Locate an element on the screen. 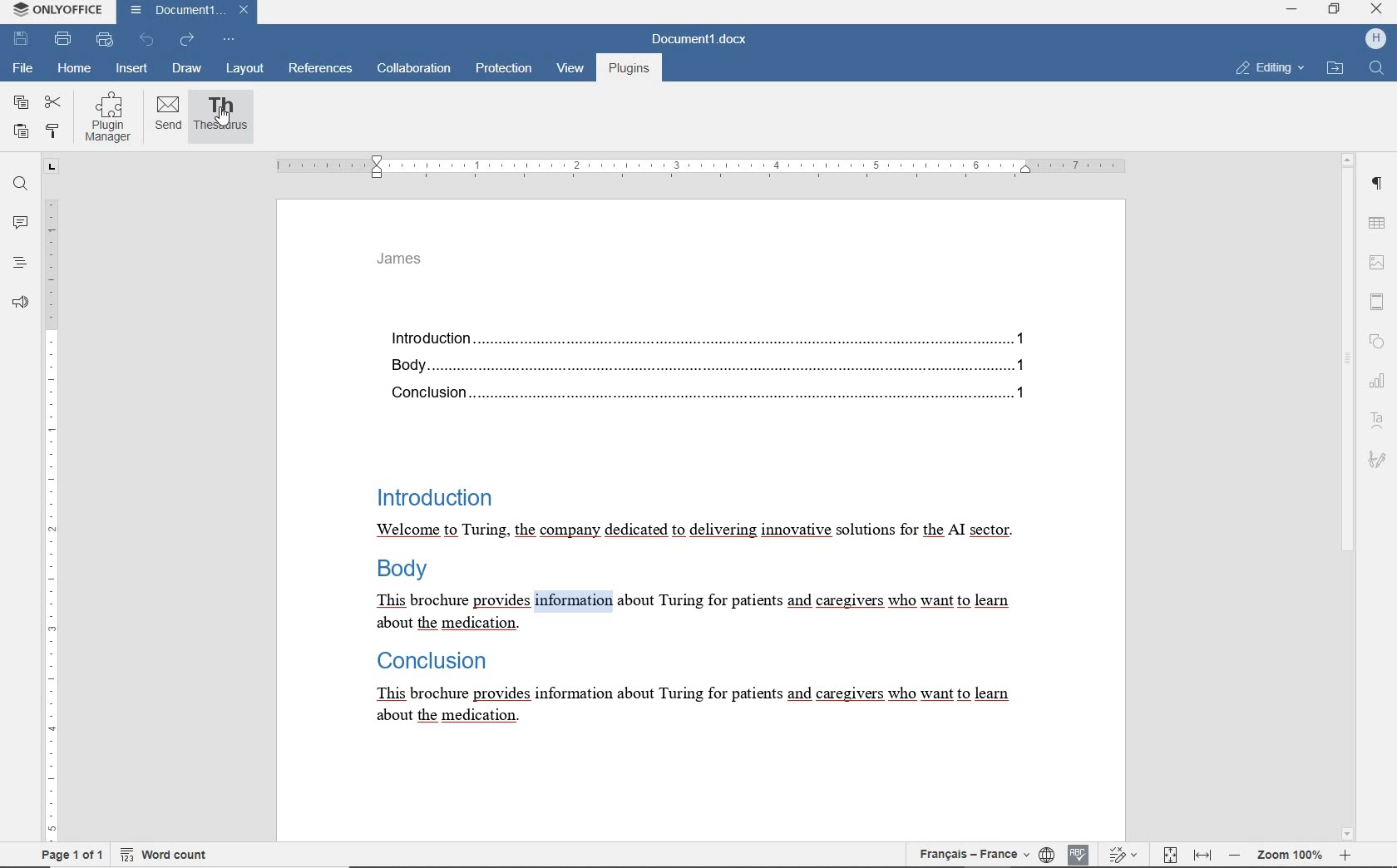 Image resolution: width=1397 pixels, height=868 pixels. WORD COUNT is located at coordinates (165, 855).